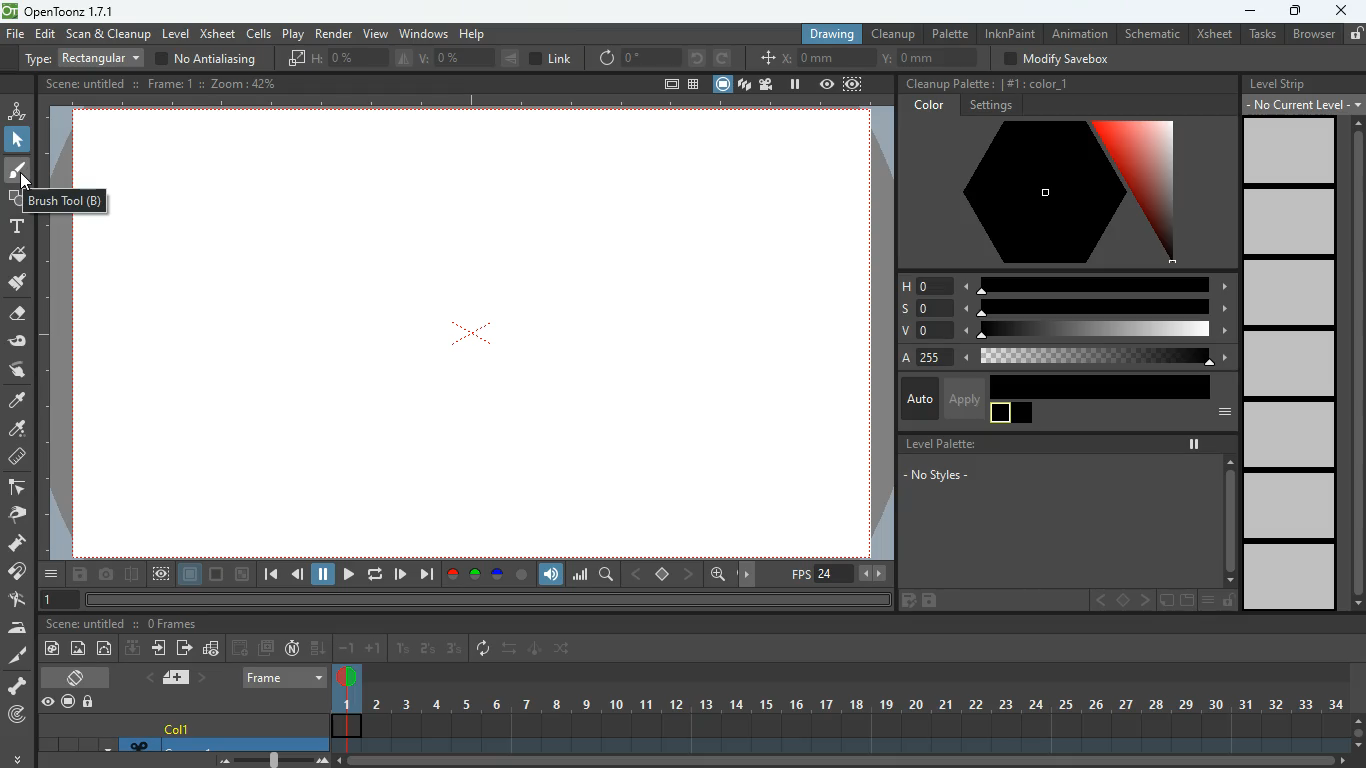 This screenshot has width=1366, height=768. Describe the element at coordinates (1061, 332) in the screenshot. I see `v` at that location.